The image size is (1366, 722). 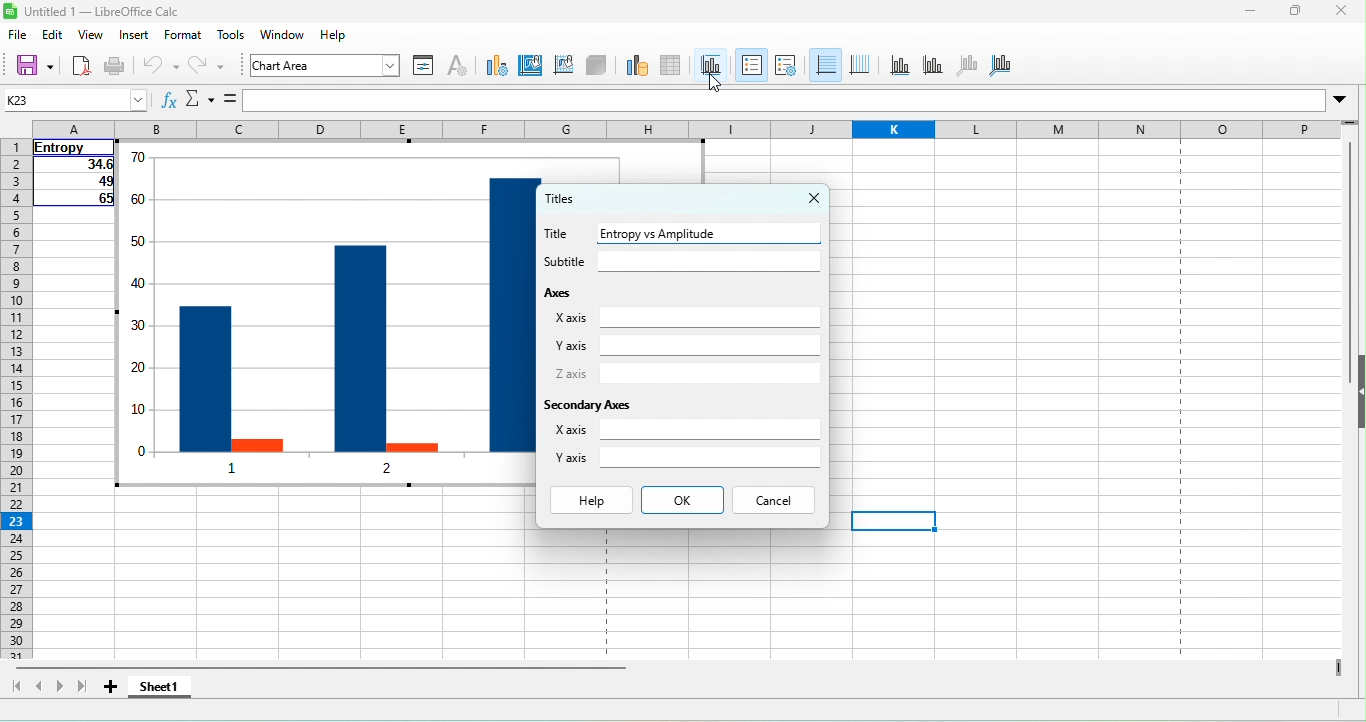 I want to click on titles, so click(x=576, y=198).